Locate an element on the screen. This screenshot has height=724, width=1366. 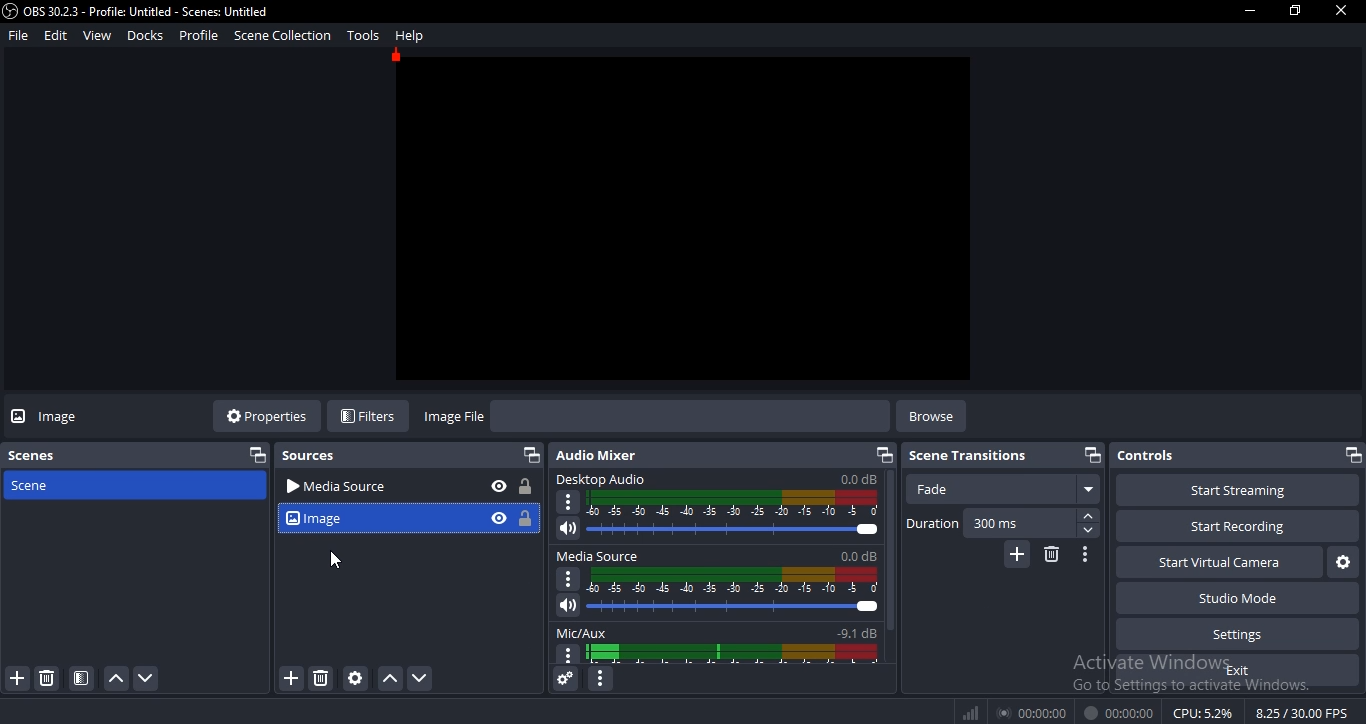
scene transitions is located at coordinates (969, 456).